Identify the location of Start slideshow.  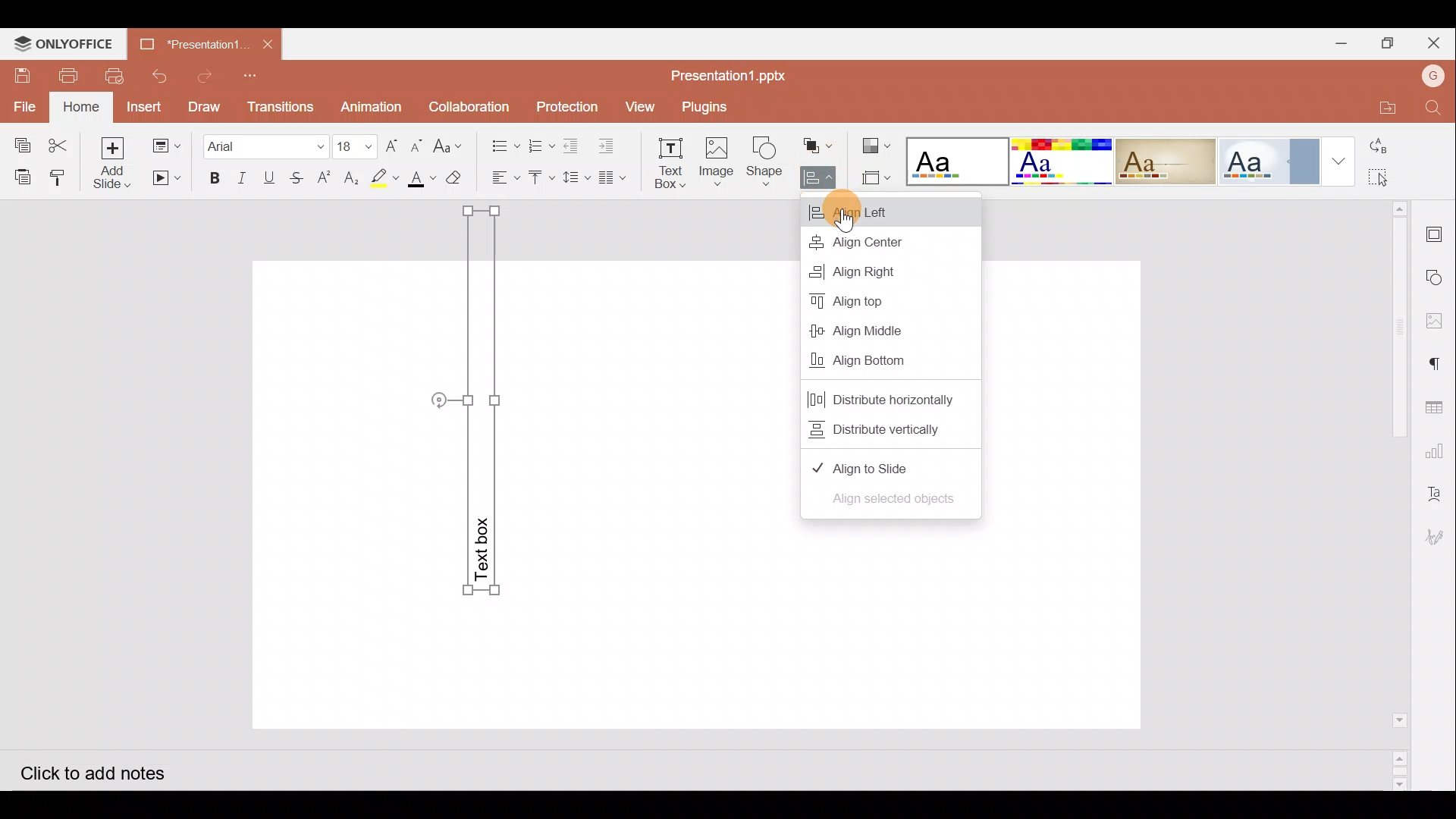
(165, 178).